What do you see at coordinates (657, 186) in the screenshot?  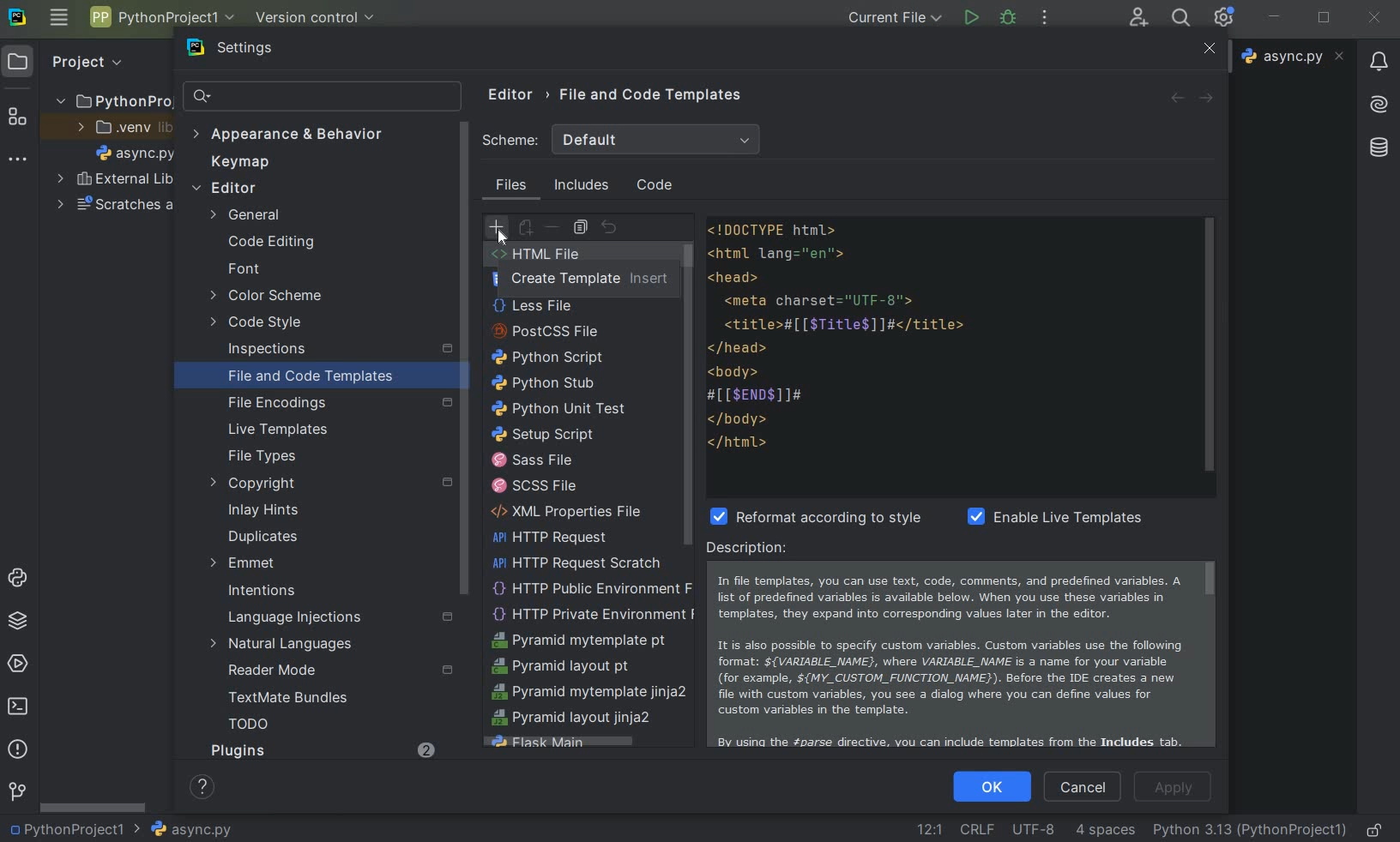 I see `code` at bounding box center [657, 186].